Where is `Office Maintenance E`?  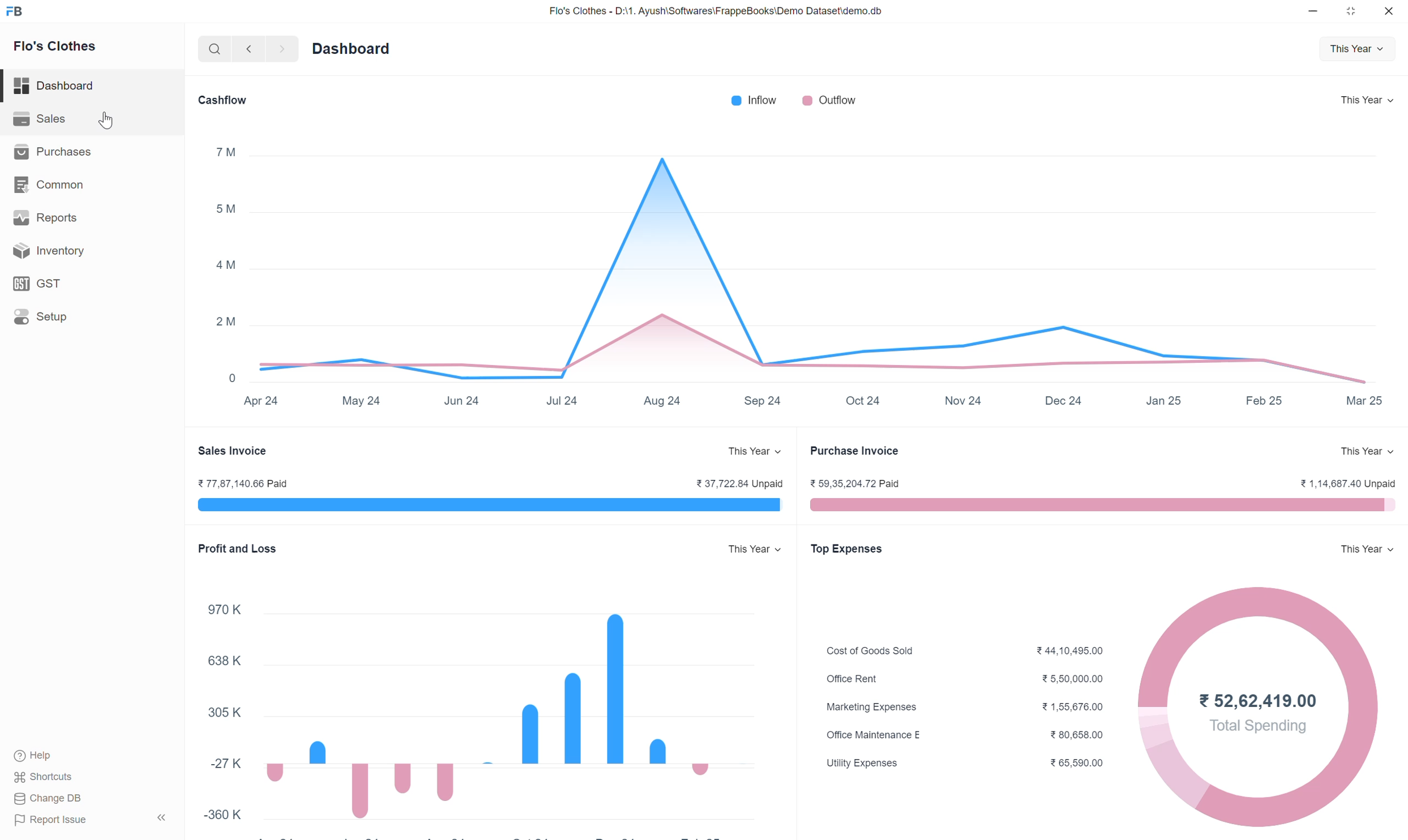
Office Maintenance E is located at coordinates (874, 738).